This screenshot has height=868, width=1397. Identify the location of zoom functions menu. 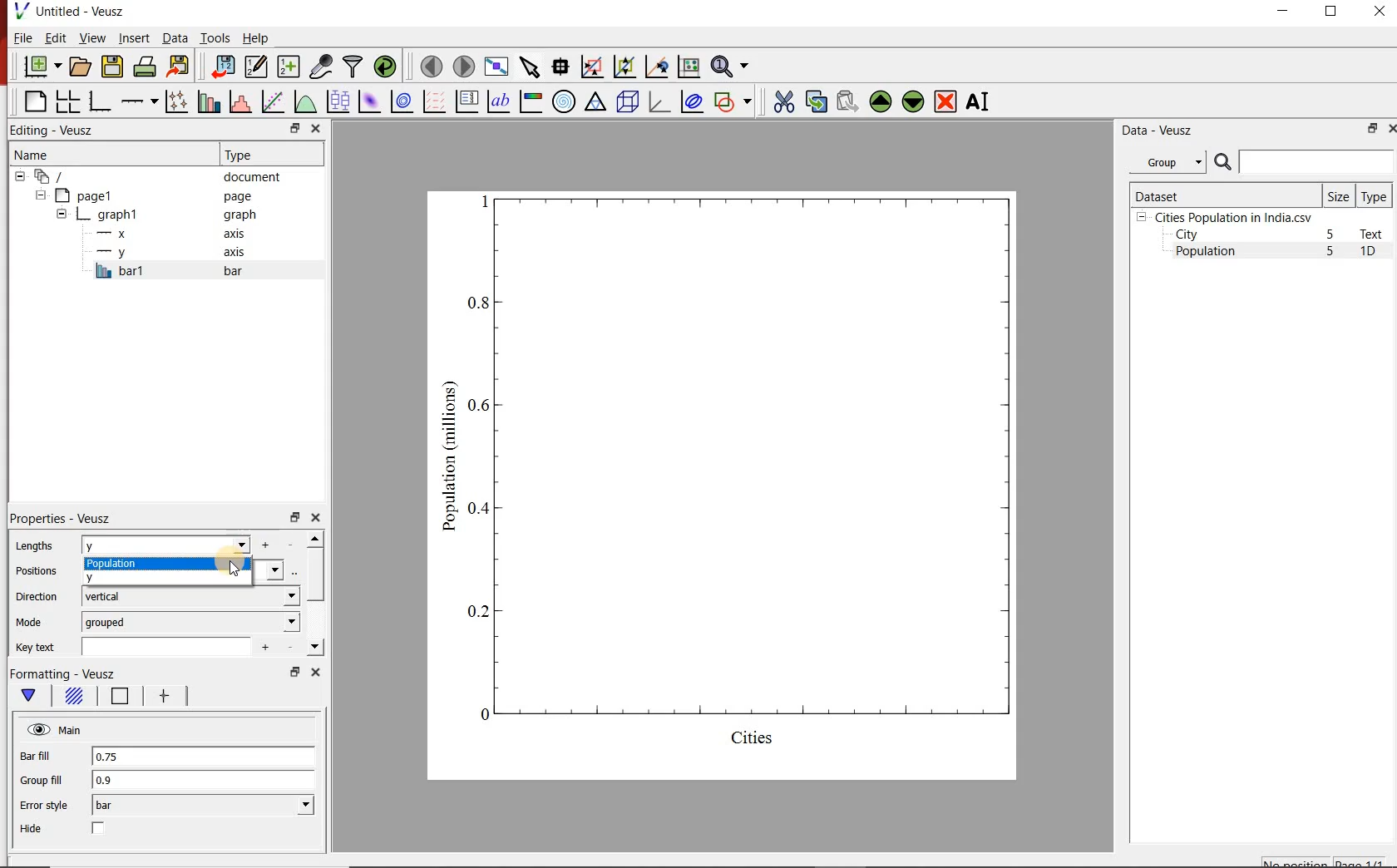
(733, 67).